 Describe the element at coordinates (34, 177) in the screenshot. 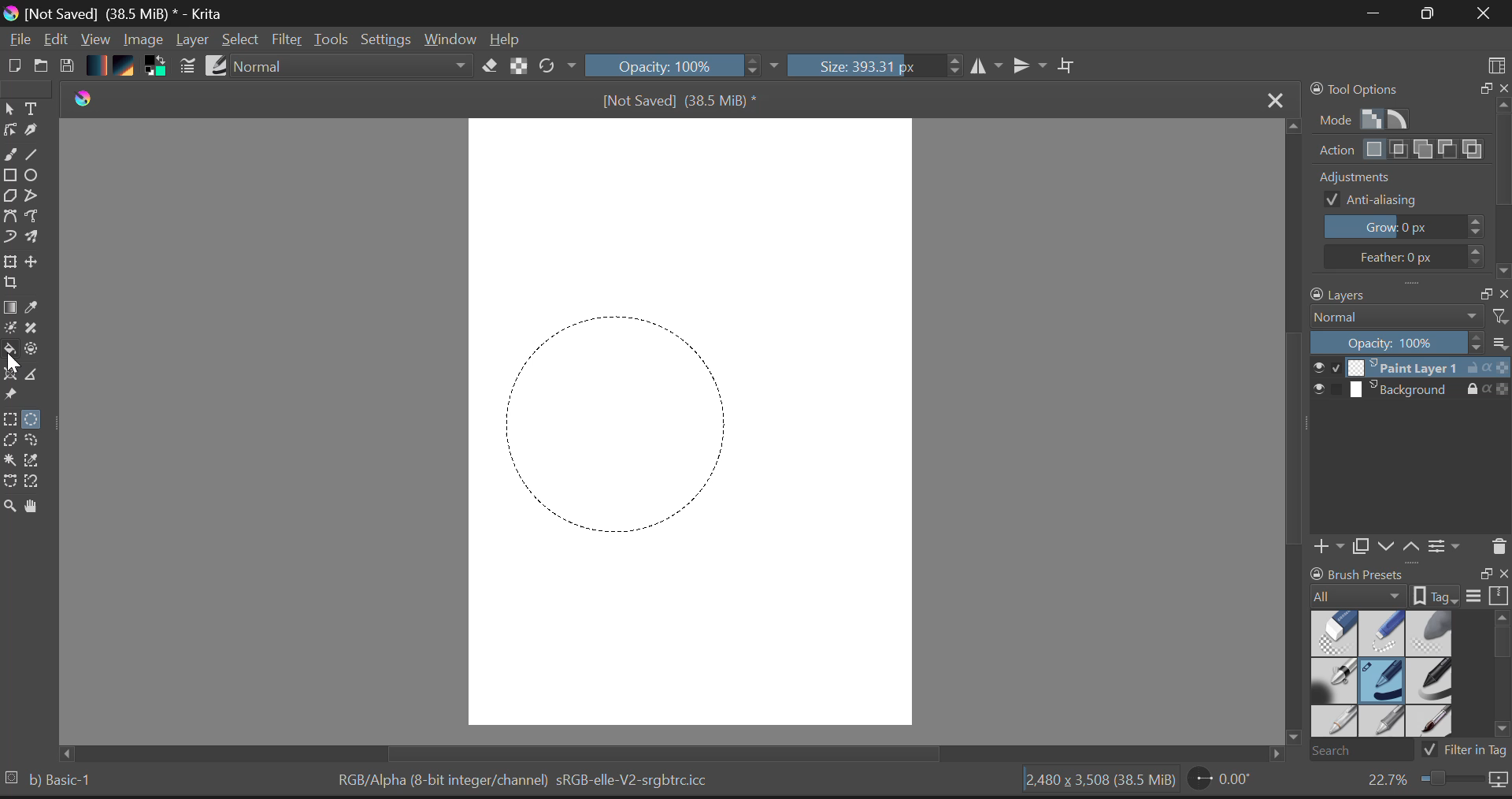

I see `Elipses` at that location.